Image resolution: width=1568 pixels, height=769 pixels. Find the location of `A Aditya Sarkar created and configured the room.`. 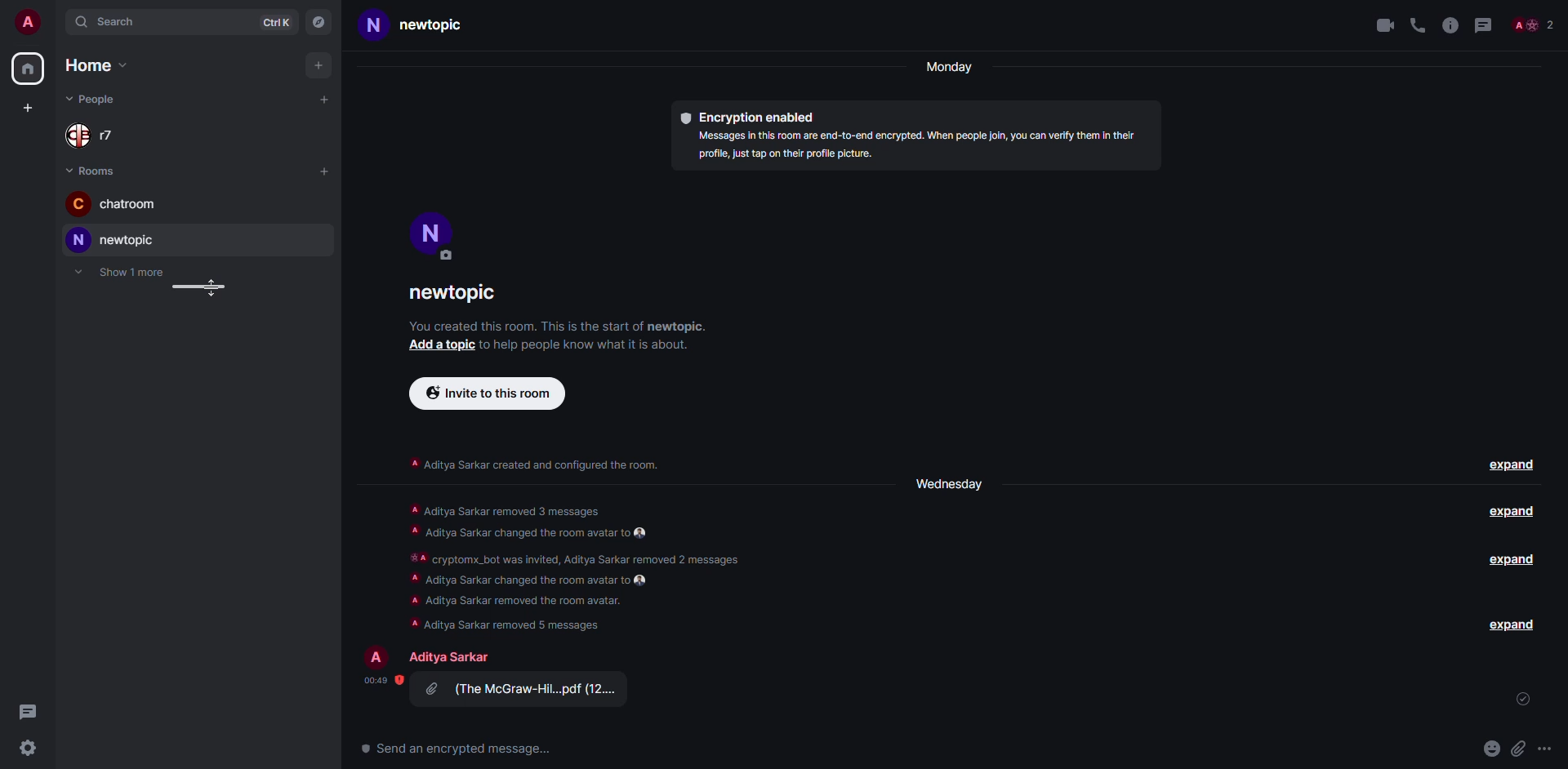

A Aditya Sarkar created and configured the room. is located at coordinates (532, 465).